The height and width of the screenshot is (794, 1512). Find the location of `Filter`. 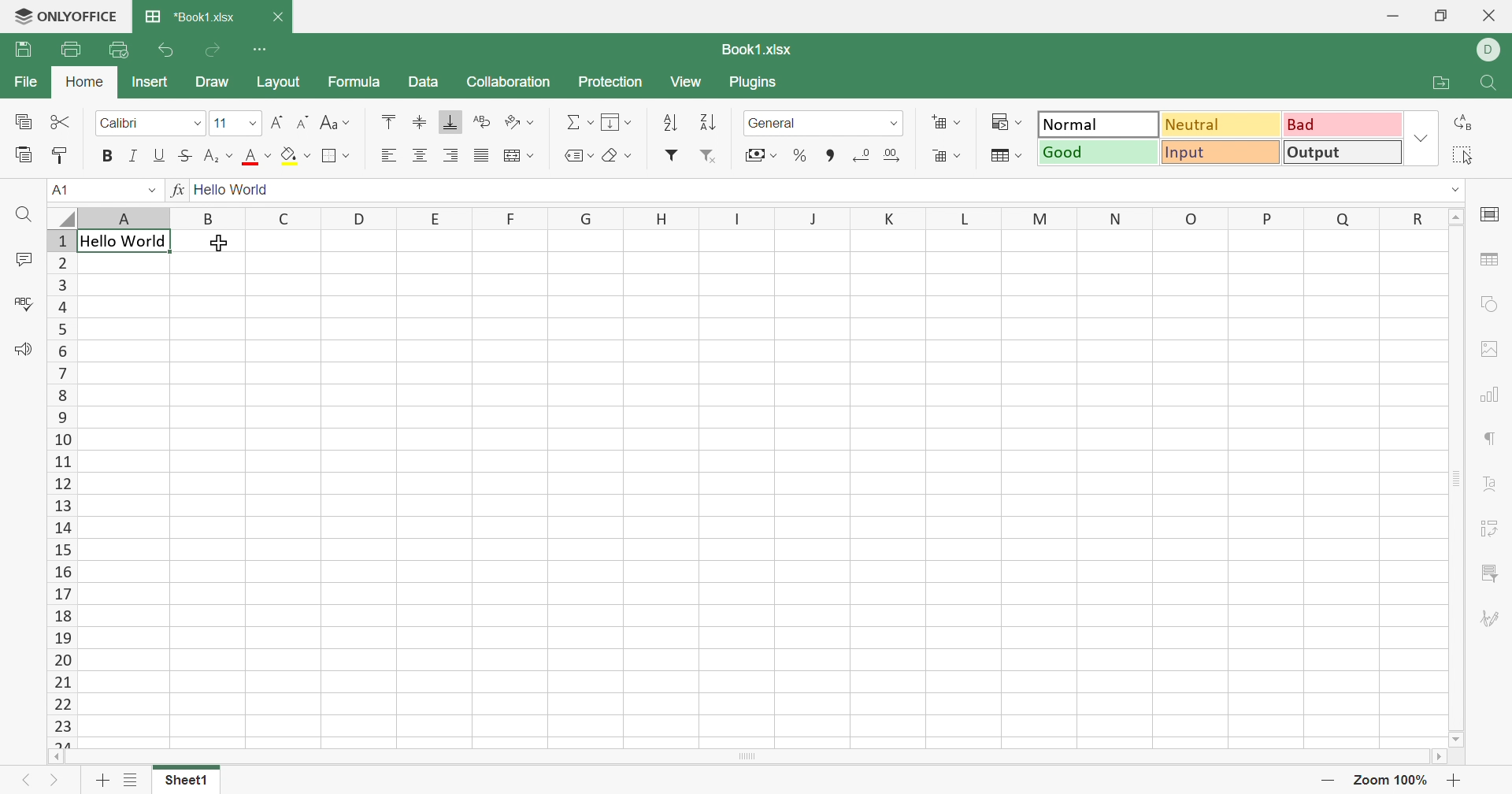

Filter is located at coordinates (671, 156).